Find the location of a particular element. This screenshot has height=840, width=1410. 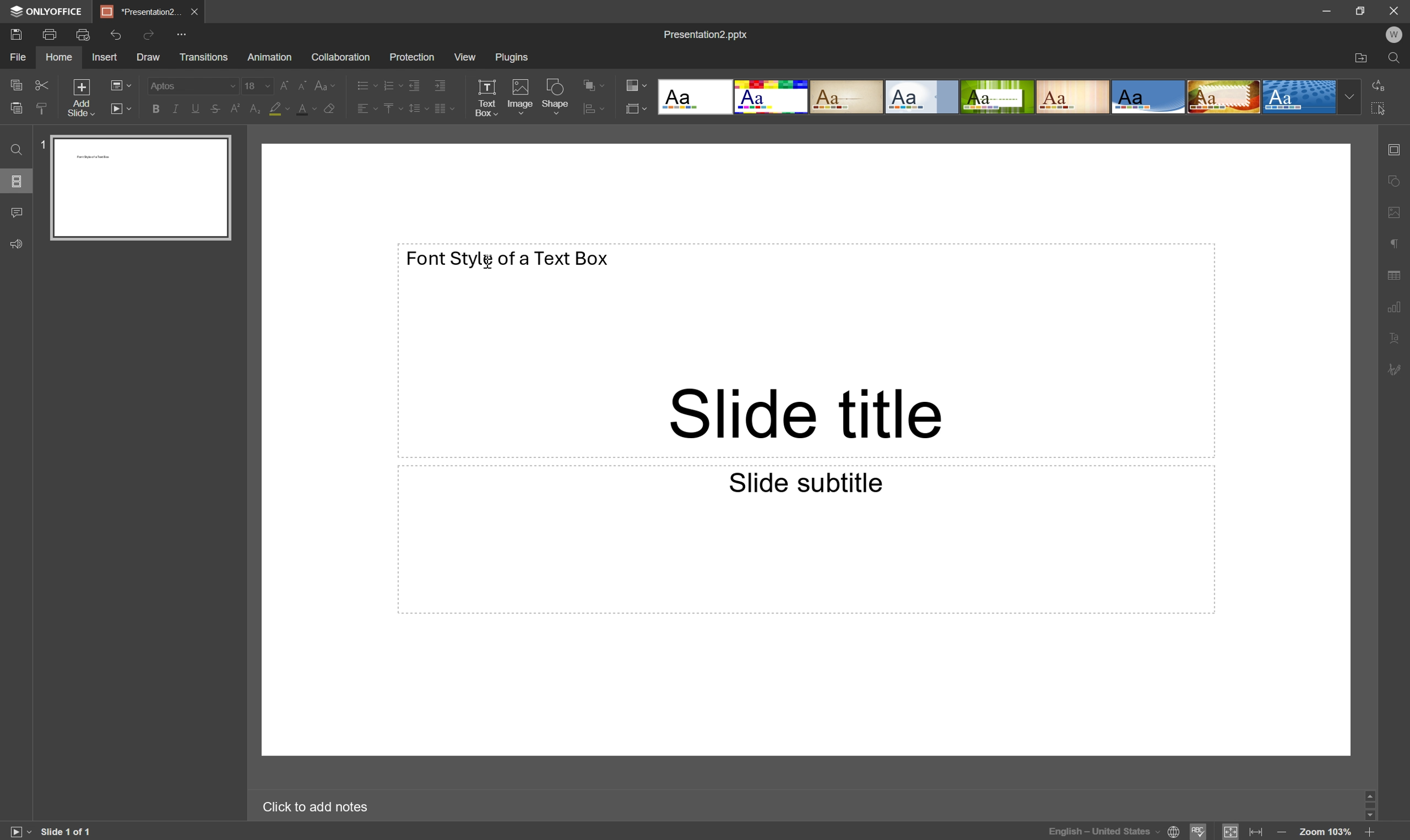

Font is located at coordinates (192, 84).